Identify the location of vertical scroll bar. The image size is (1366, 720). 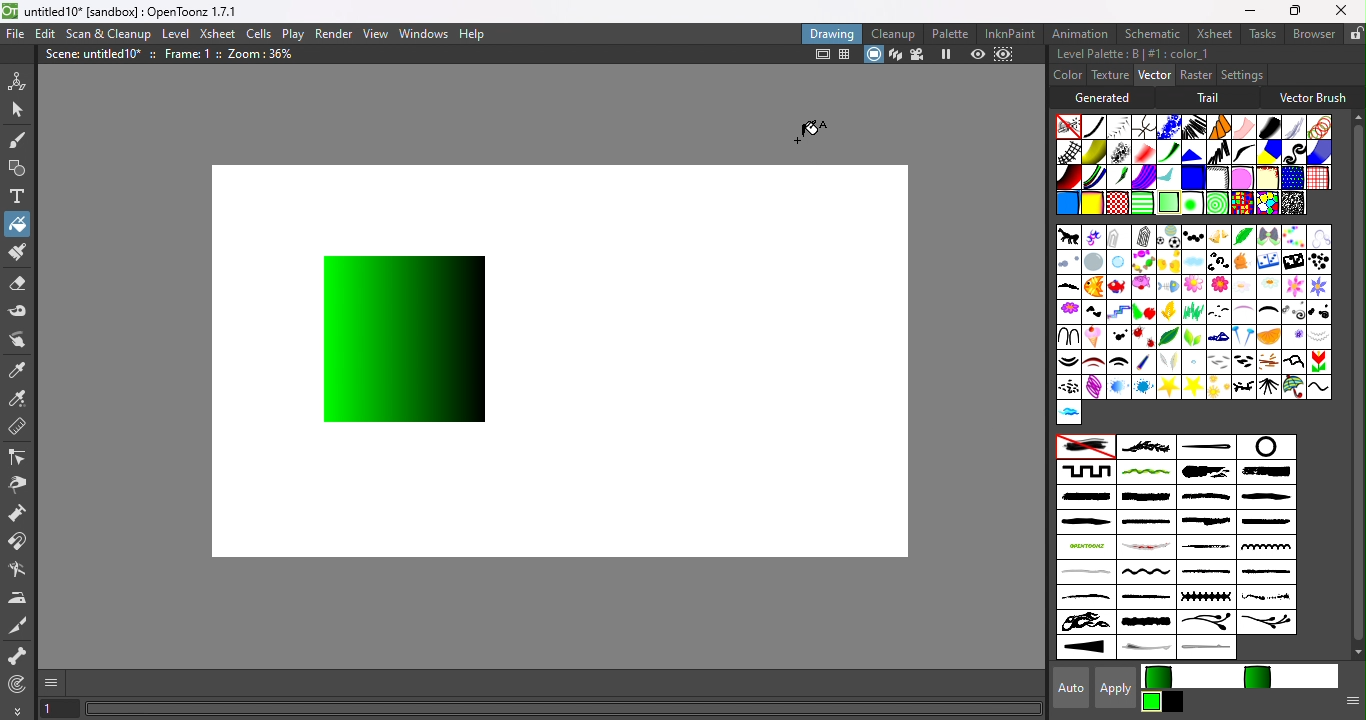
(1353, 385).